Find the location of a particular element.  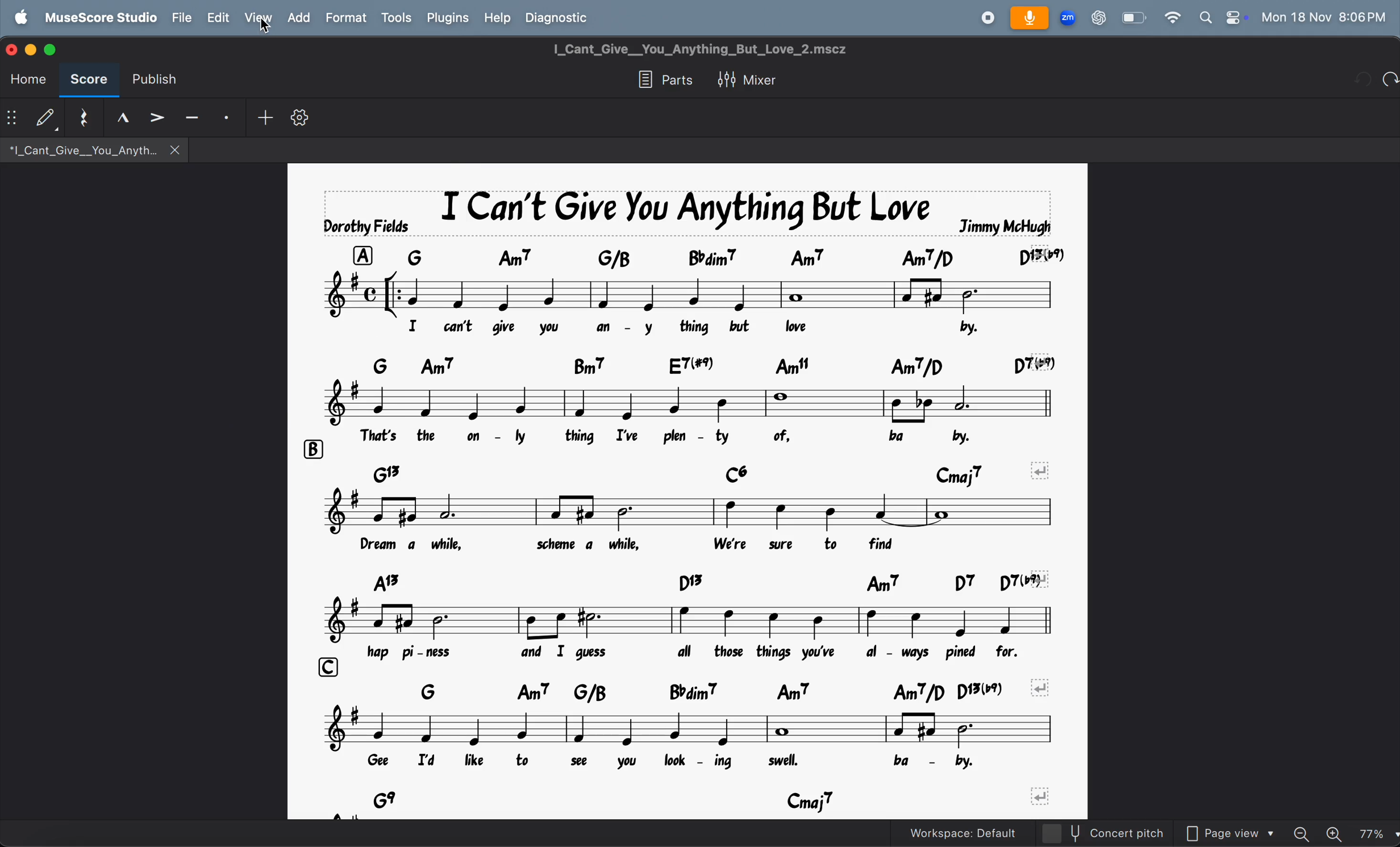

*|_Cant_Give__You_Anyth.. X is located at coordinates (93, 150).